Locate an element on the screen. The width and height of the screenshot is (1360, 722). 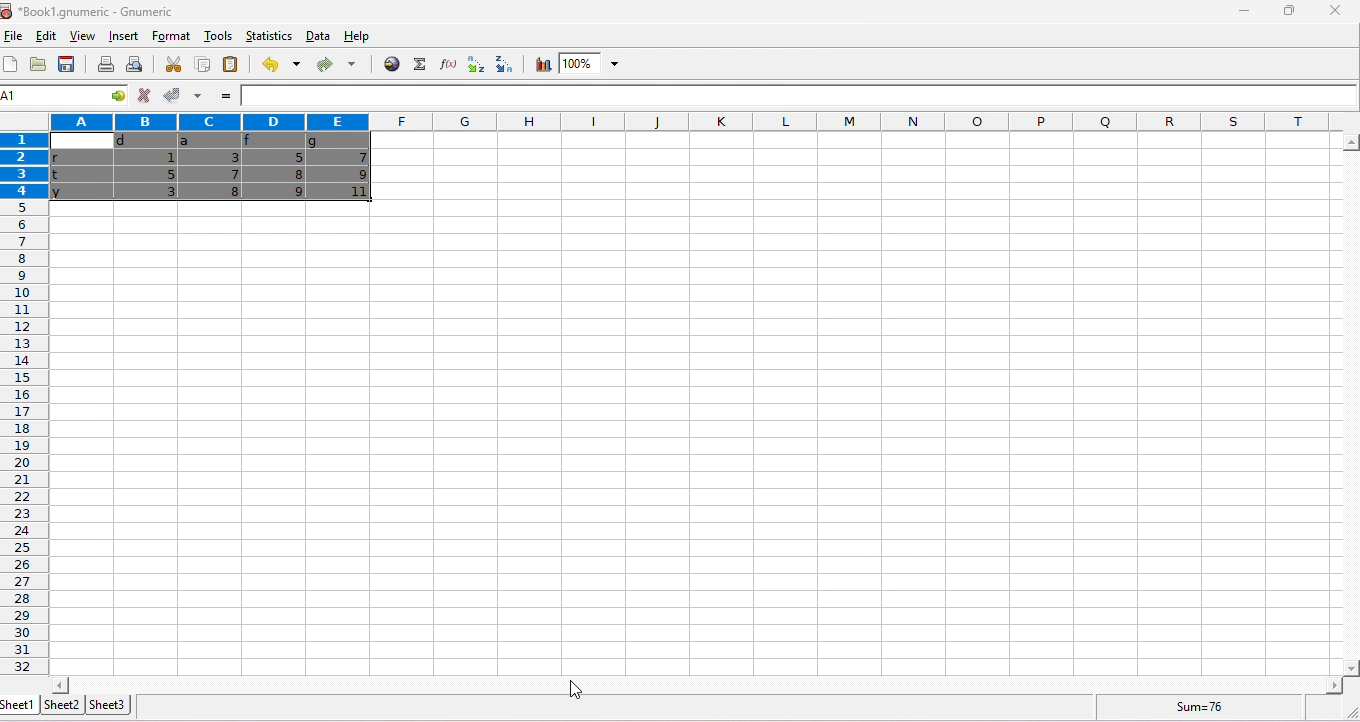
accept multiple changes is located at coordinates (196, 96).